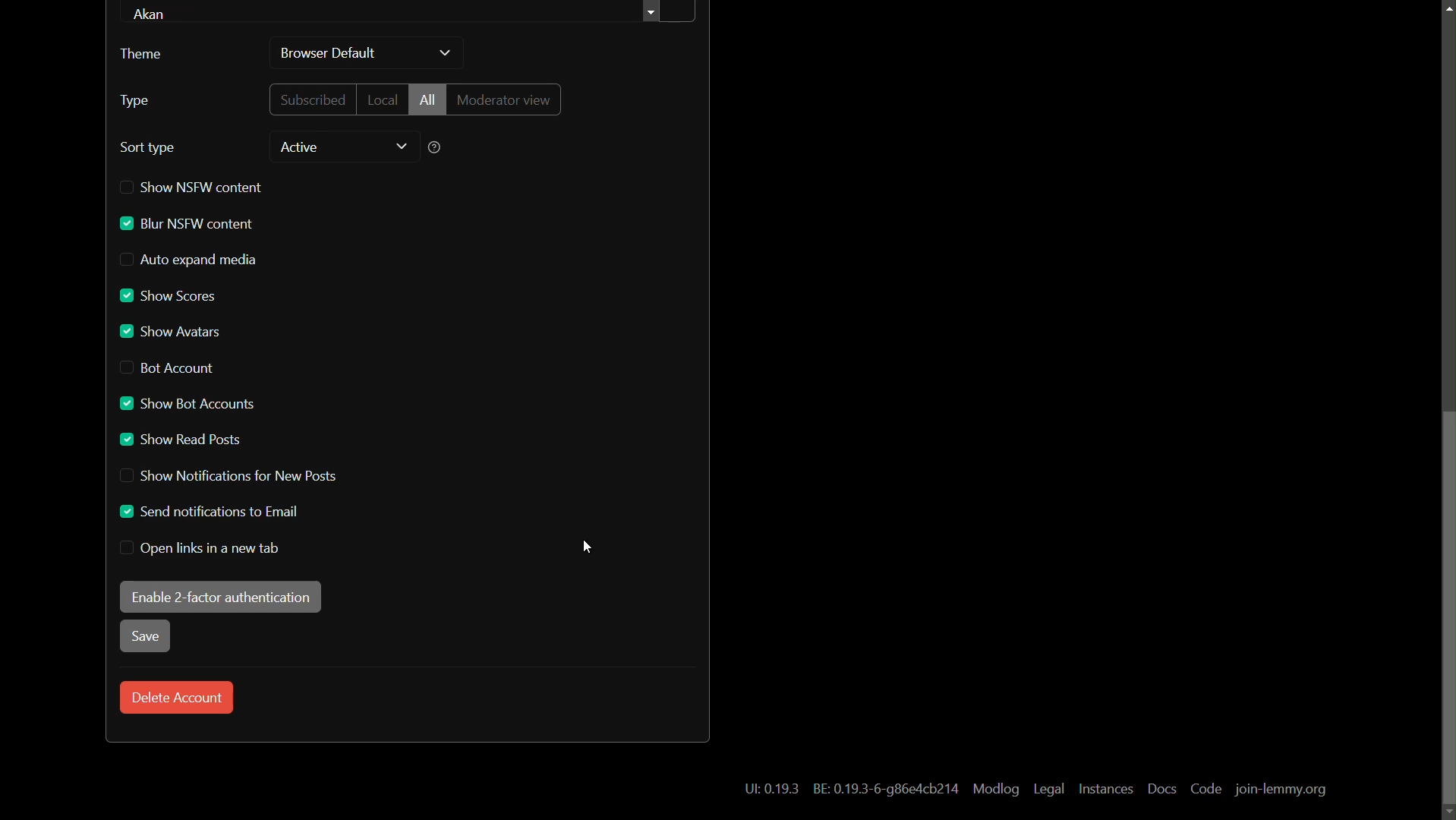  What do you see at coordinates (178, 697) in the screenshot?
I see `delete account` at bounding box center [178, 697].